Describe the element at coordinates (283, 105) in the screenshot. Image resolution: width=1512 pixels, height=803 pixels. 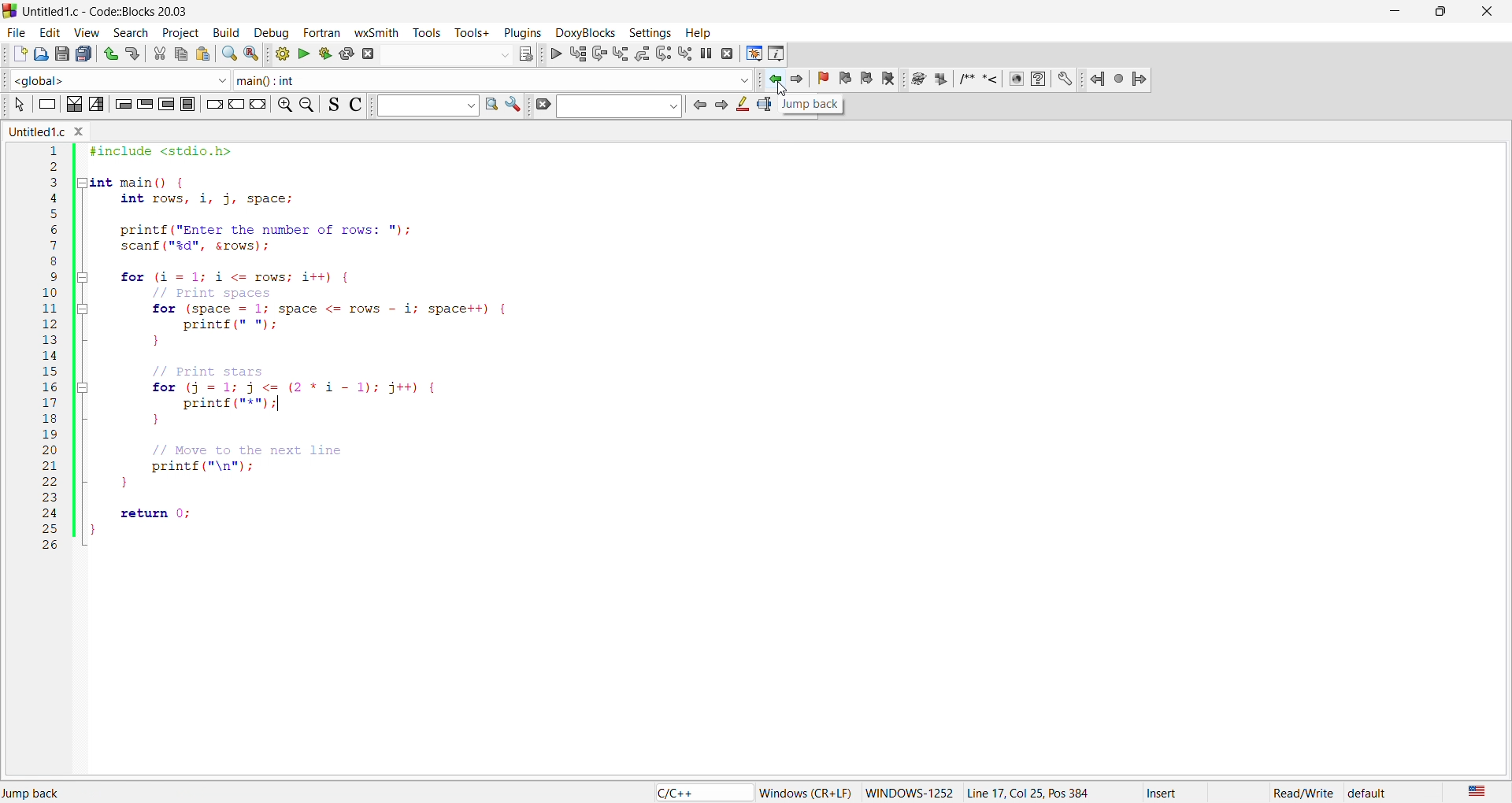
I see `zoom in ` at that location.